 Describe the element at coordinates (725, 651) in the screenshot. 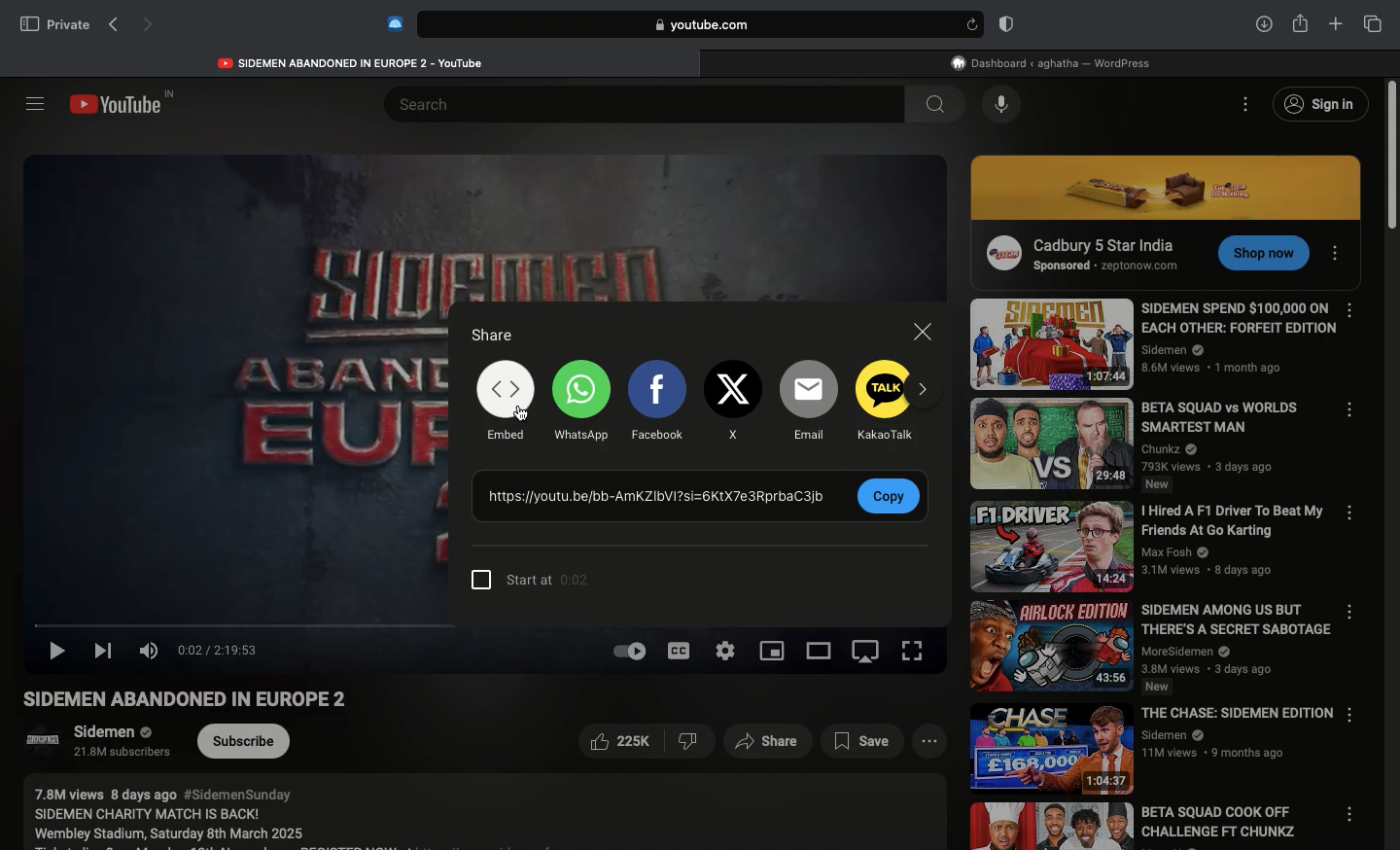

I see `Settings` at that location.